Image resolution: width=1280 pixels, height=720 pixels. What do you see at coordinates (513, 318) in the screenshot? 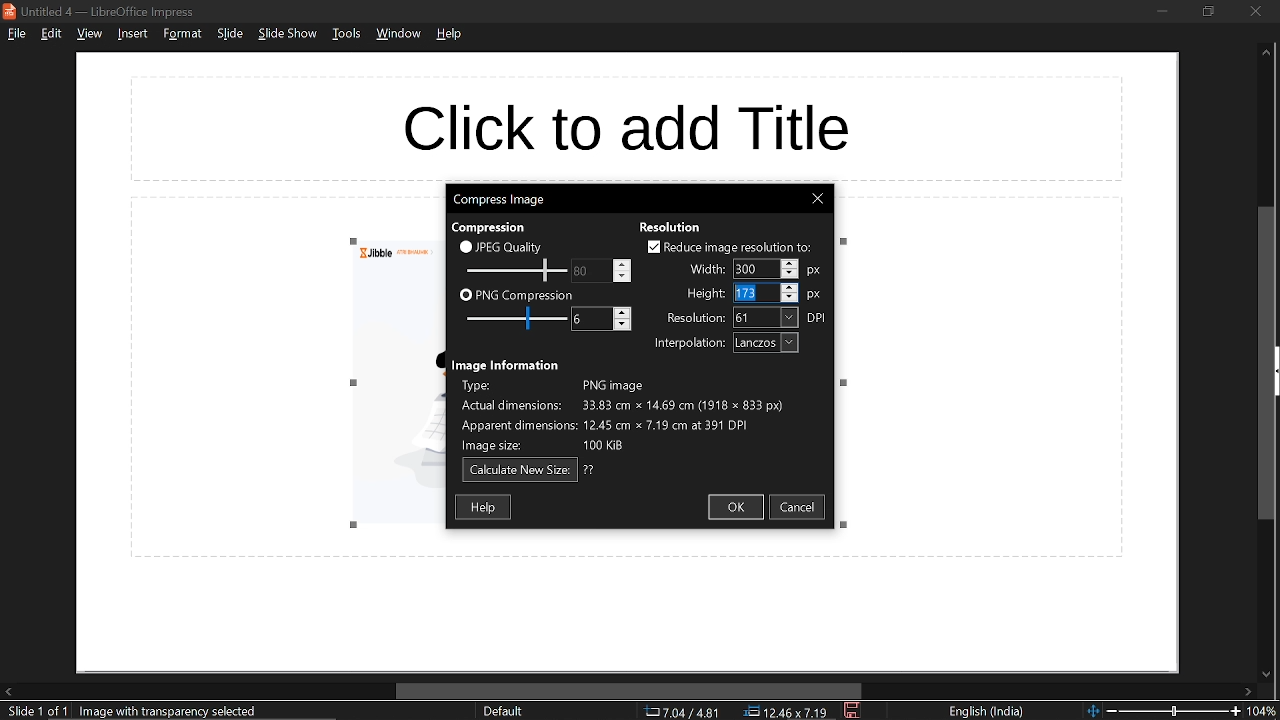
I see `PNG compression scale` at bounding box center [513, 318].